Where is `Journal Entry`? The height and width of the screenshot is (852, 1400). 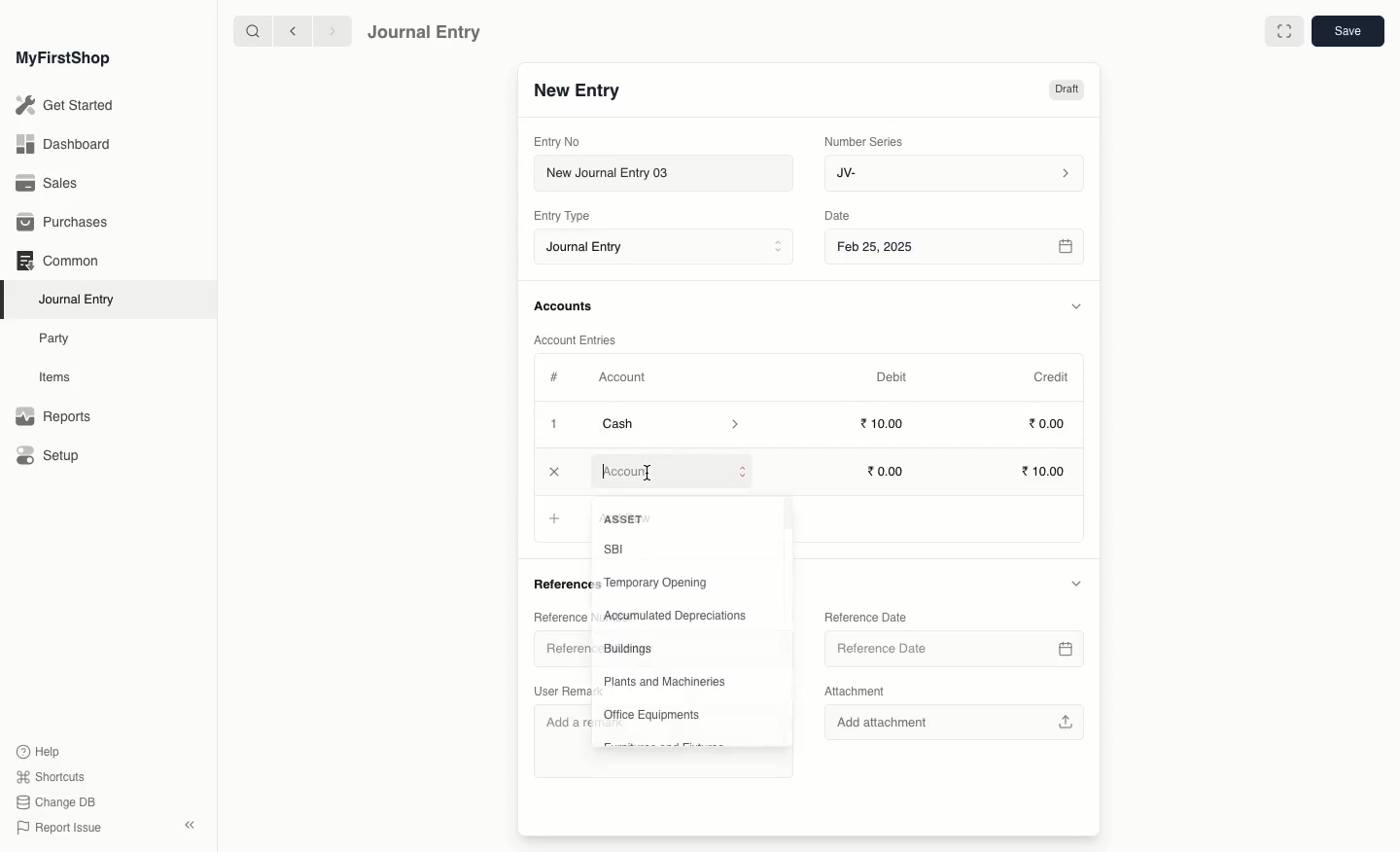 Journal Entry is located at coordinates (669, 248).